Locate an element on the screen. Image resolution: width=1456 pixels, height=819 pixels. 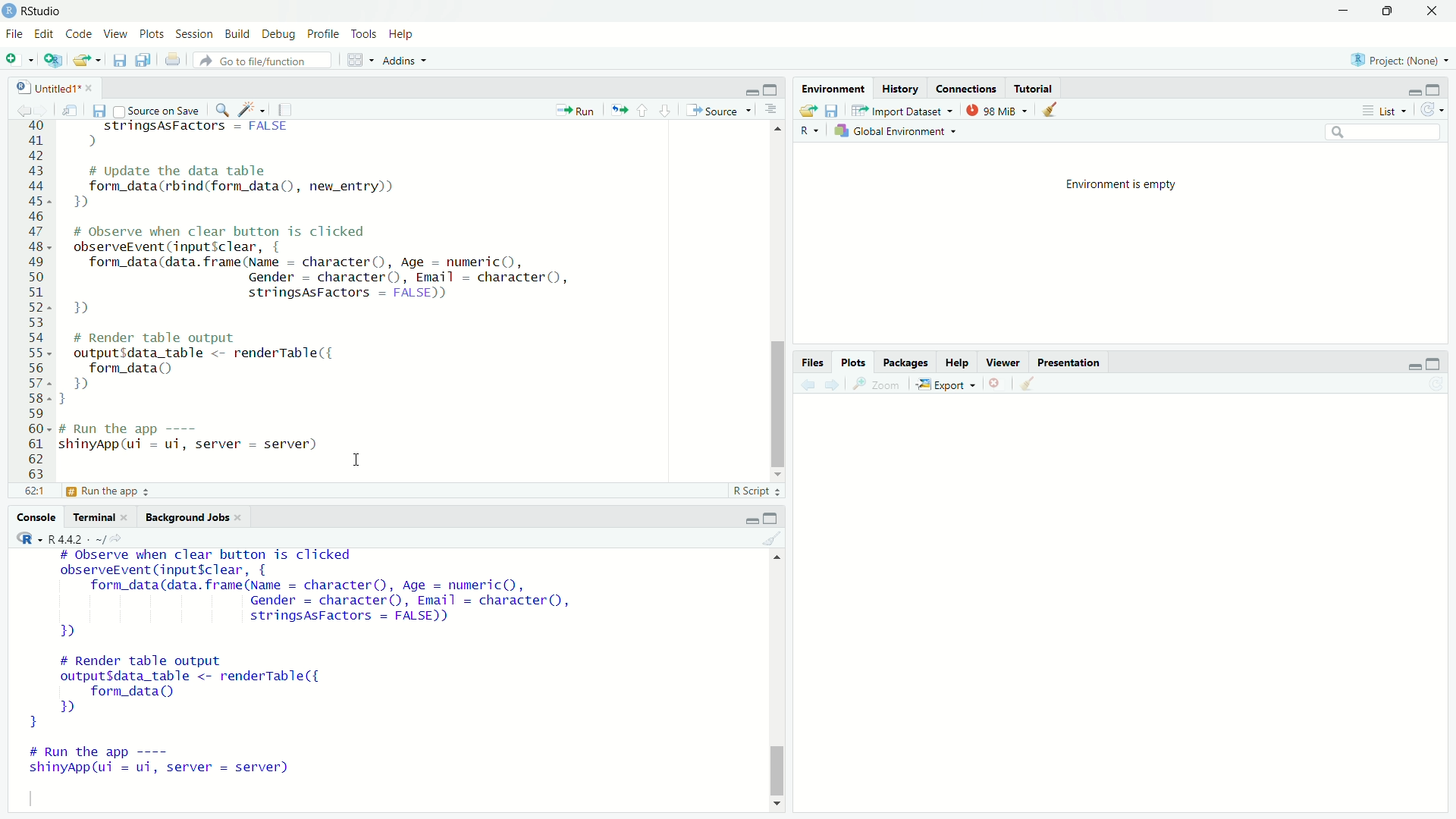
view the current working directory is located at coordinates (121, 538).